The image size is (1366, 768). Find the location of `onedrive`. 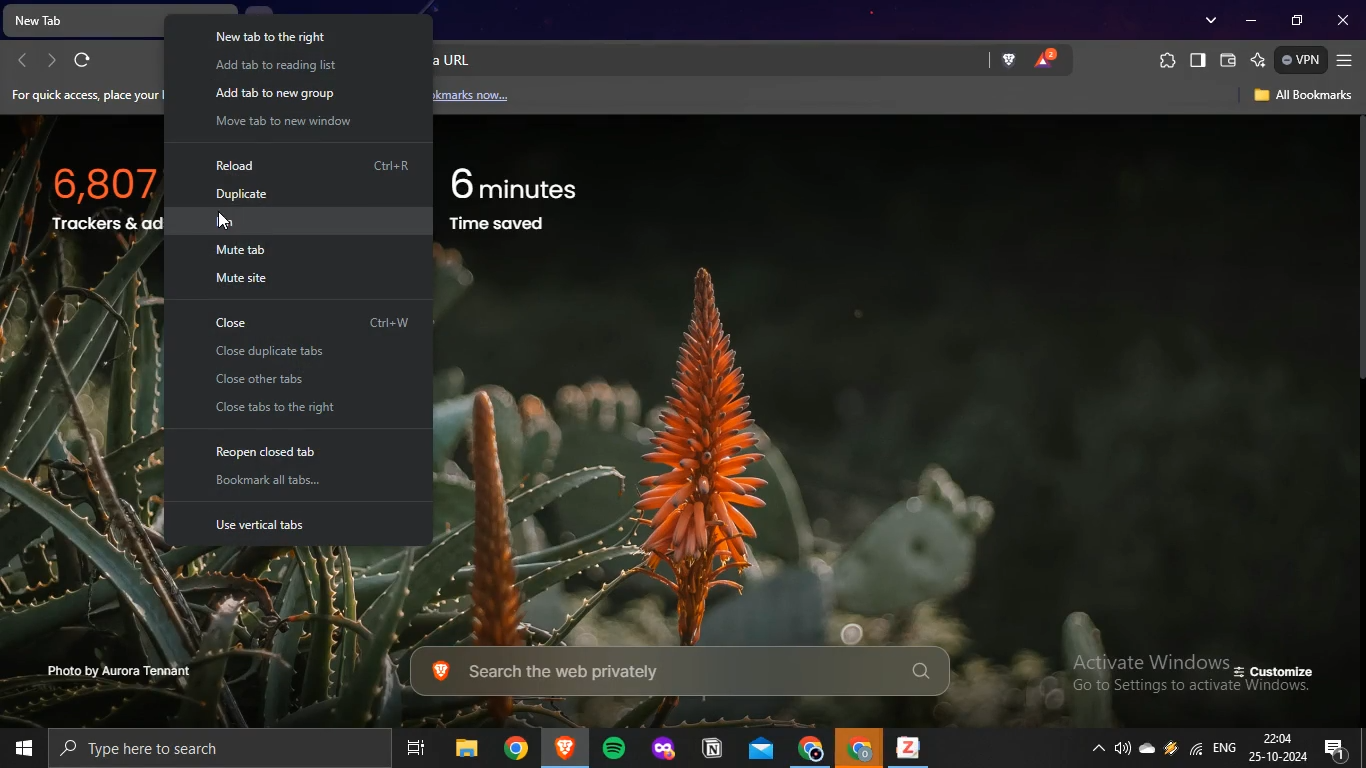

onedrive is located at coordinates (1146, 745).